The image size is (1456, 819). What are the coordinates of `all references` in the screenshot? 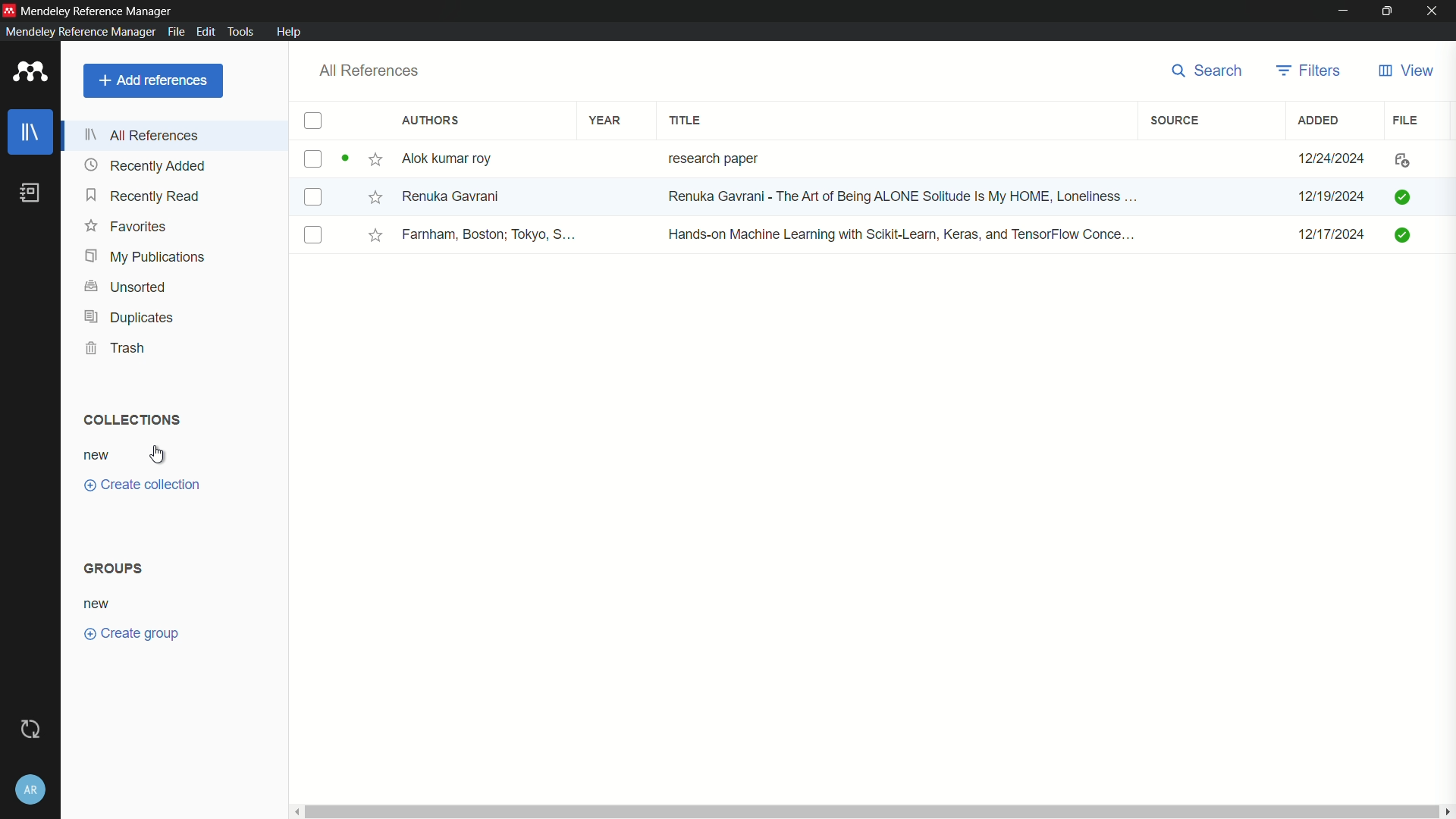 It's located at (370, 71).